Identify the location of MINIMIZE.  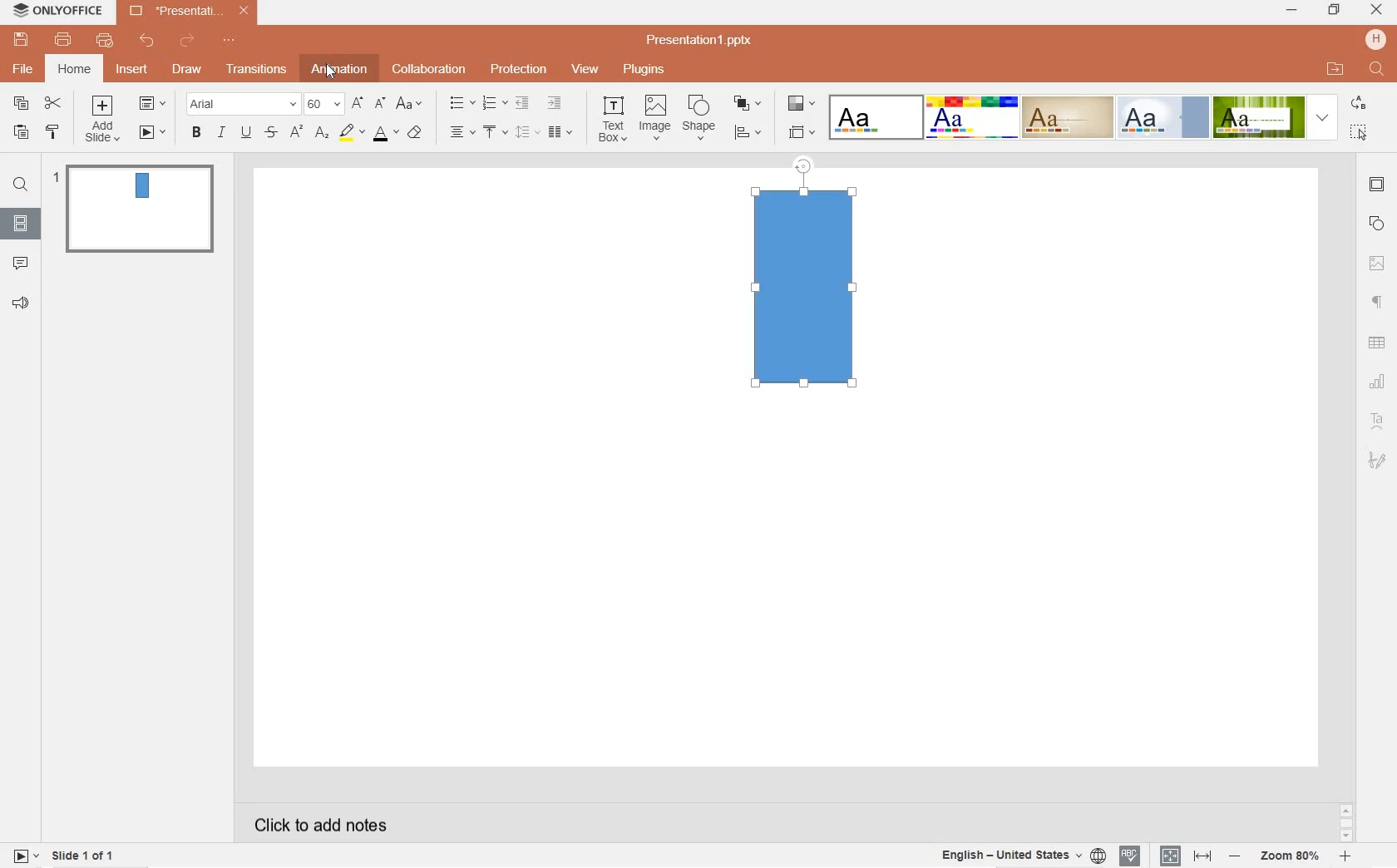
(1292, 12).